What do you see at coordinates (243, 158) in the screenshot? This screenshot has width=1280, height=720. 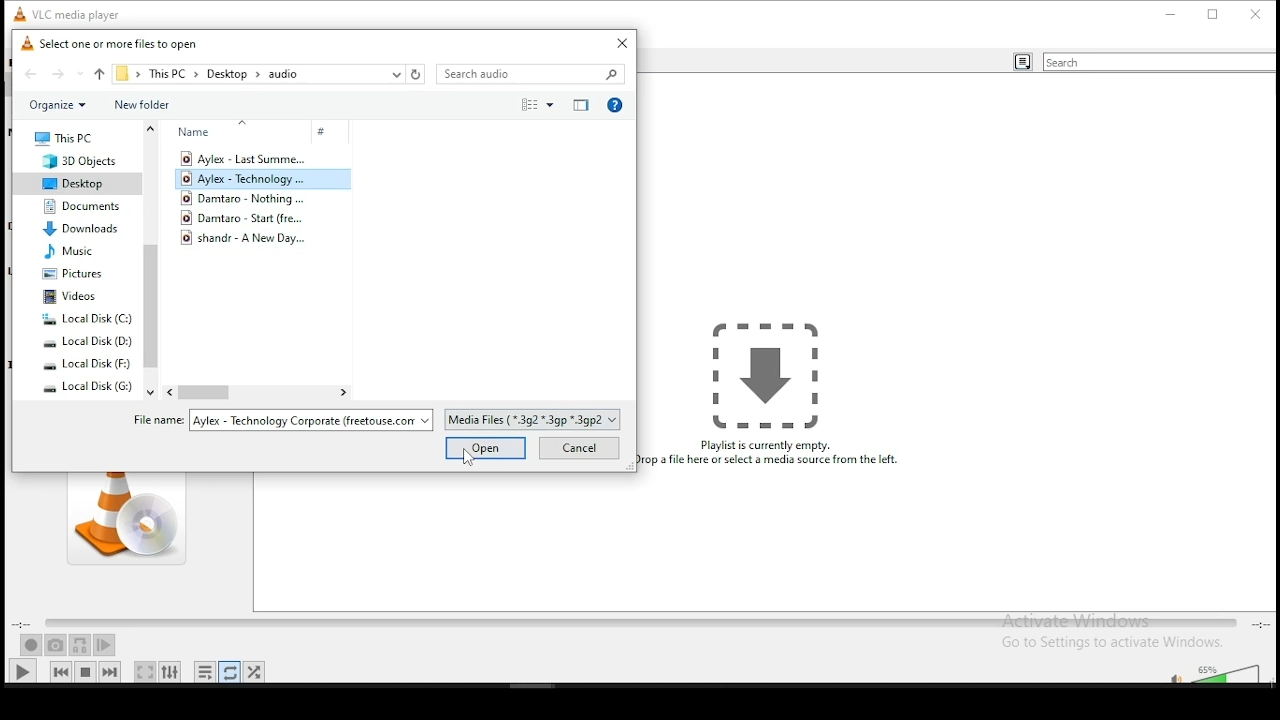 I see `Aylex- Last Summer` at bounding box center [243, 158].